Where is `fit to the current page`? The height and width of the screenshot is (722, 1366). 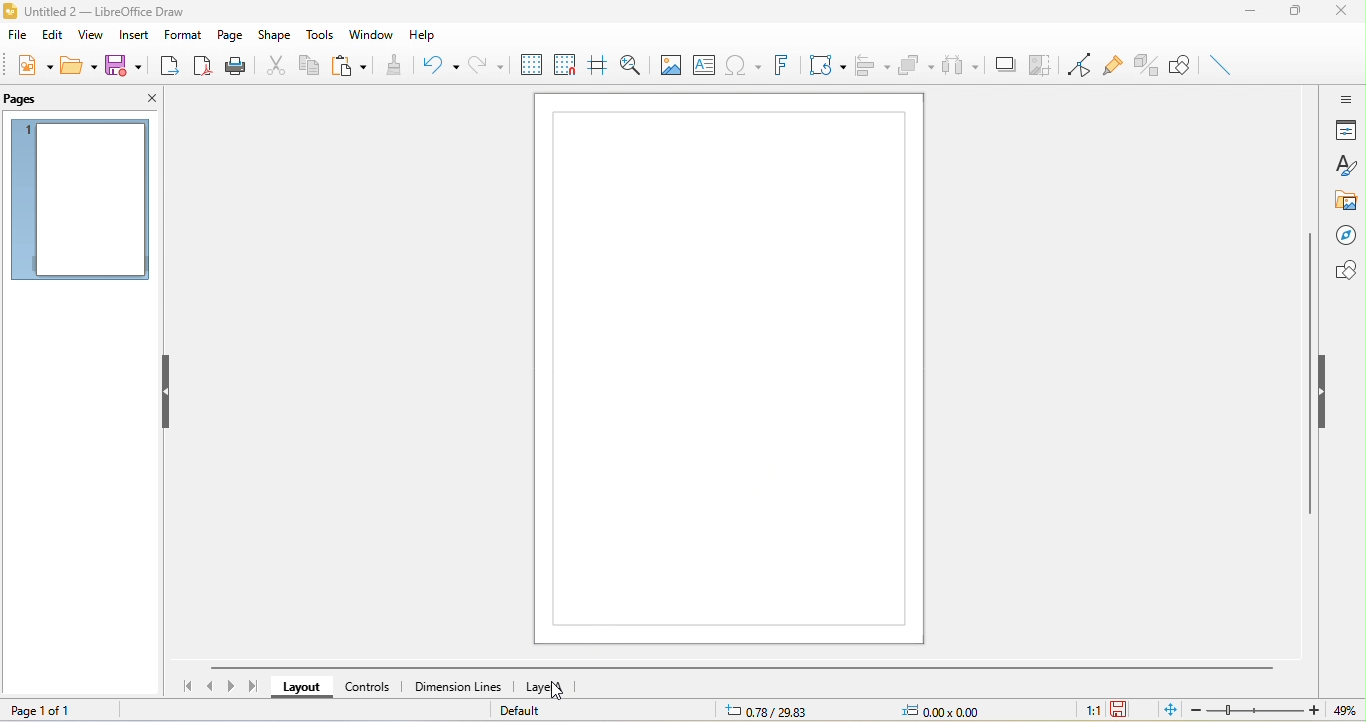 fit to the current page is located at coordinates (1162, 710).